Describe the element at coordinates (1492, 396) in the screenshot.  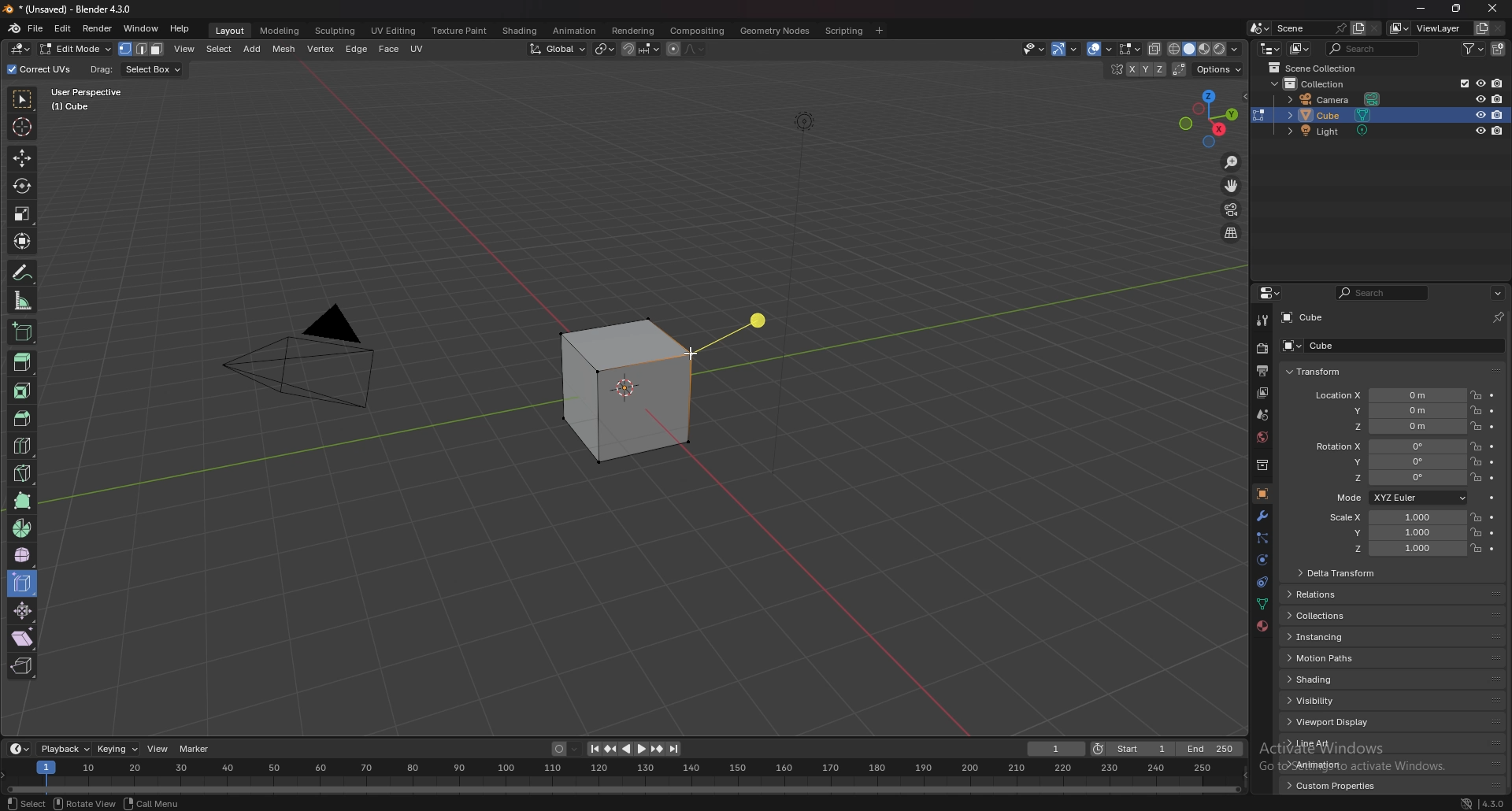
I see `animate property` at that location.